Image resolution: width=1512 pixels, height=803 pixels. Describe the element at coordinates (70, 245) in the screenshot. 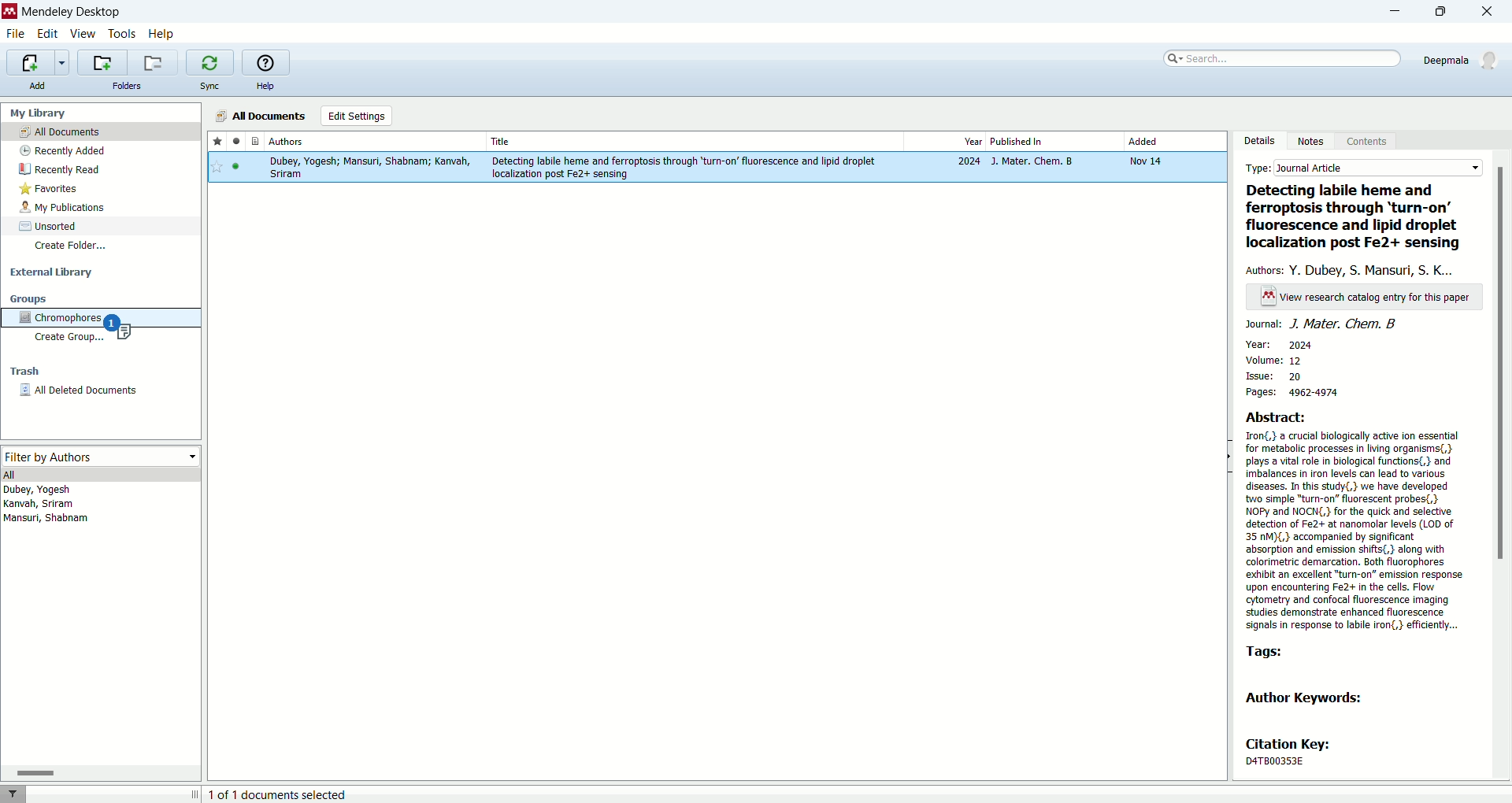

I see `create folder` at that location.